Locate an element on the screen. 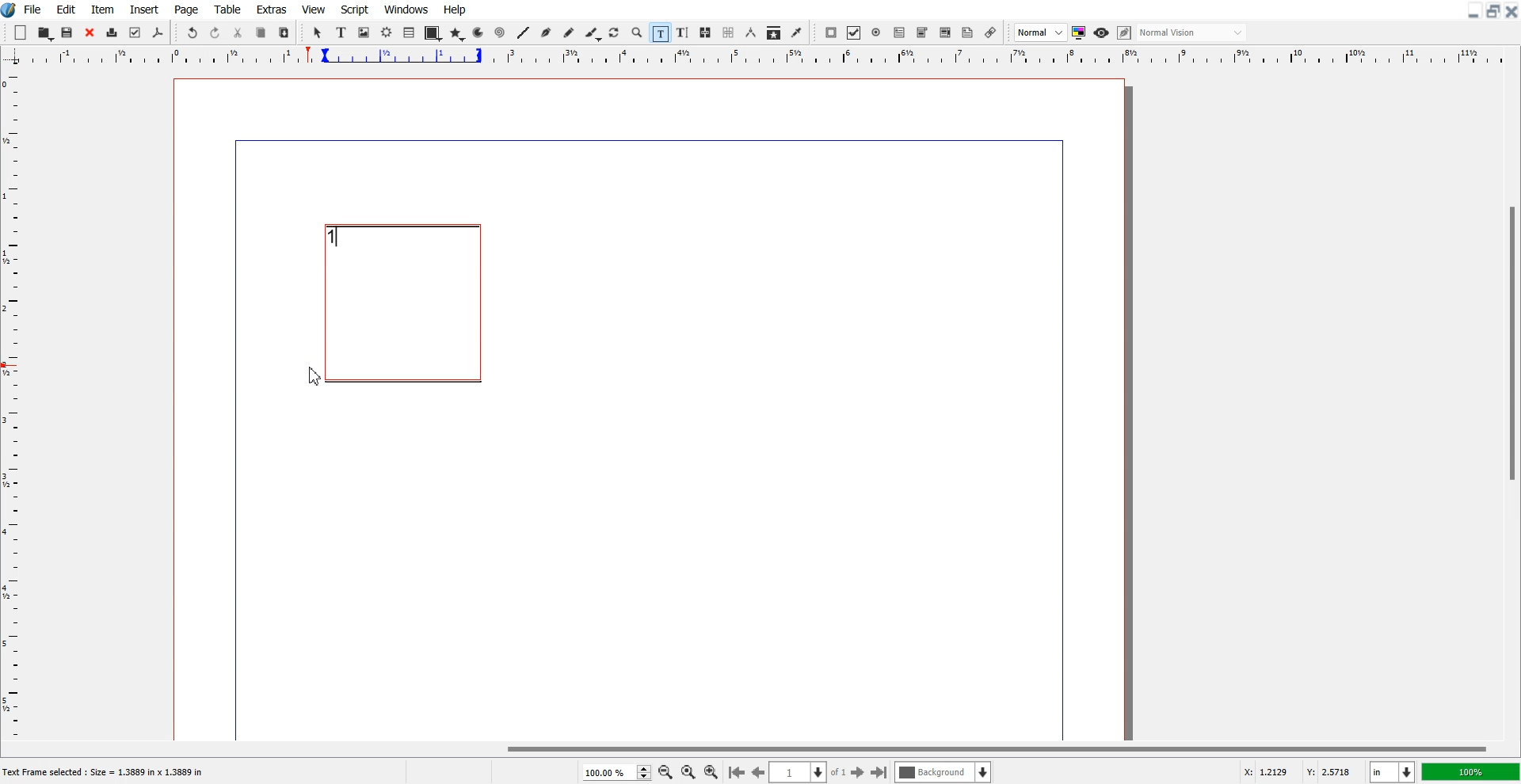 This screenshot has width=1521, height=784. Table is located at coordinates (228, 9).